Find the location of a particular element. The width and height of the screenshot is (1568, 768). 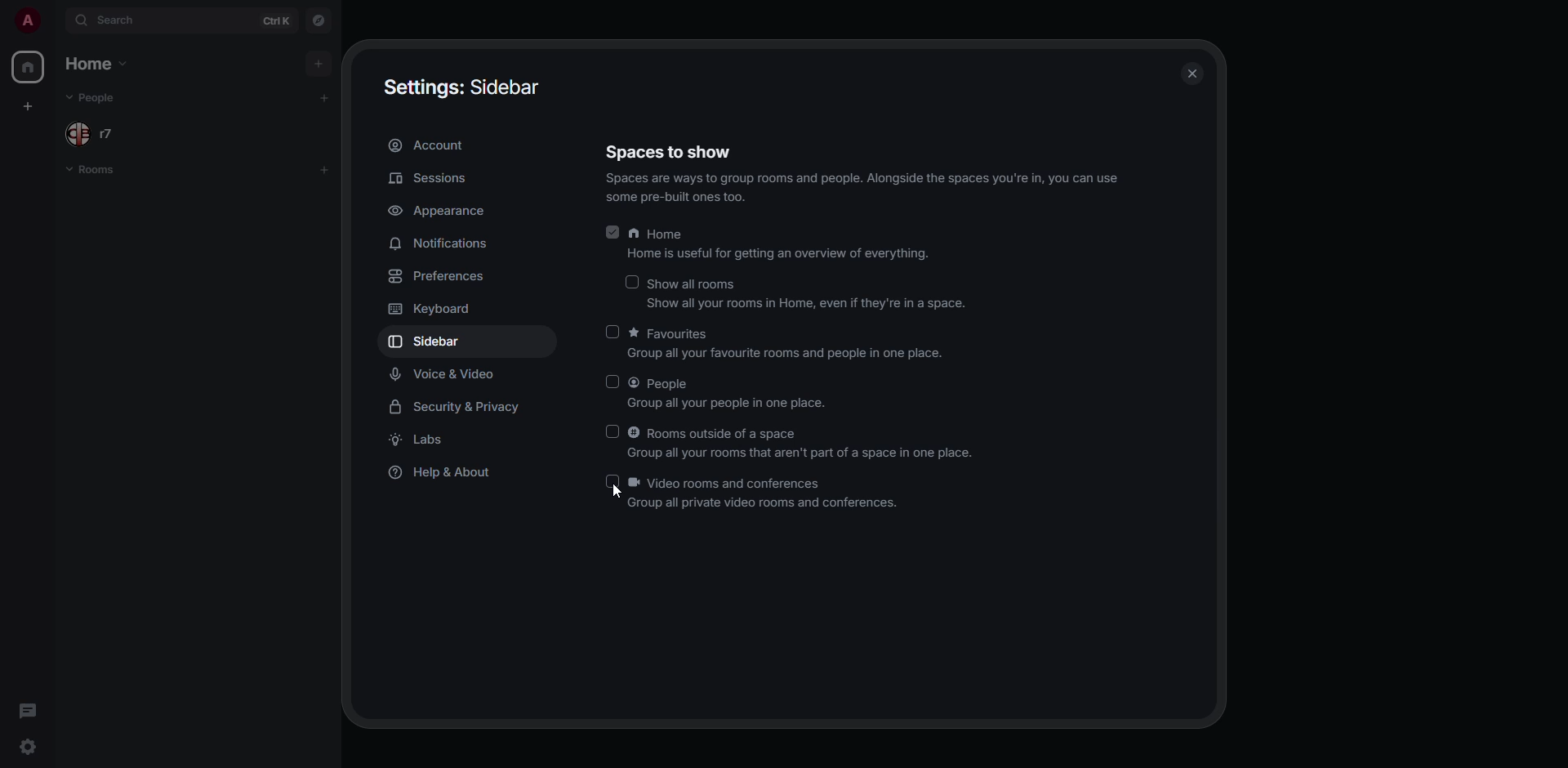

cursor is located at coordinates (614, 493).